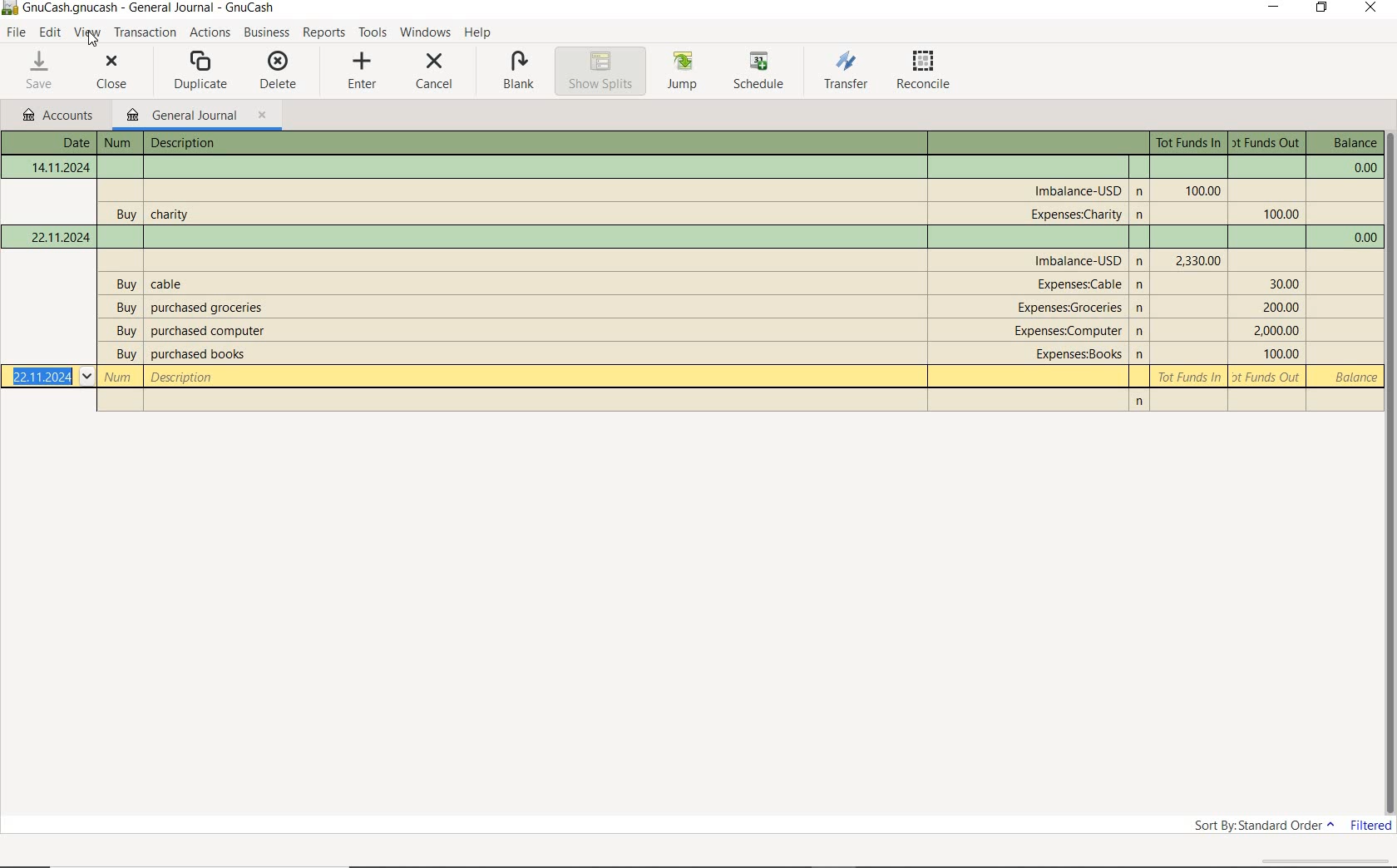 This screenshot has height=868, width=1397. What do you see at coordinates (1389, 471) in the screenshot?
I see `SCROLLBAR` at bounding box center [1389, 471].